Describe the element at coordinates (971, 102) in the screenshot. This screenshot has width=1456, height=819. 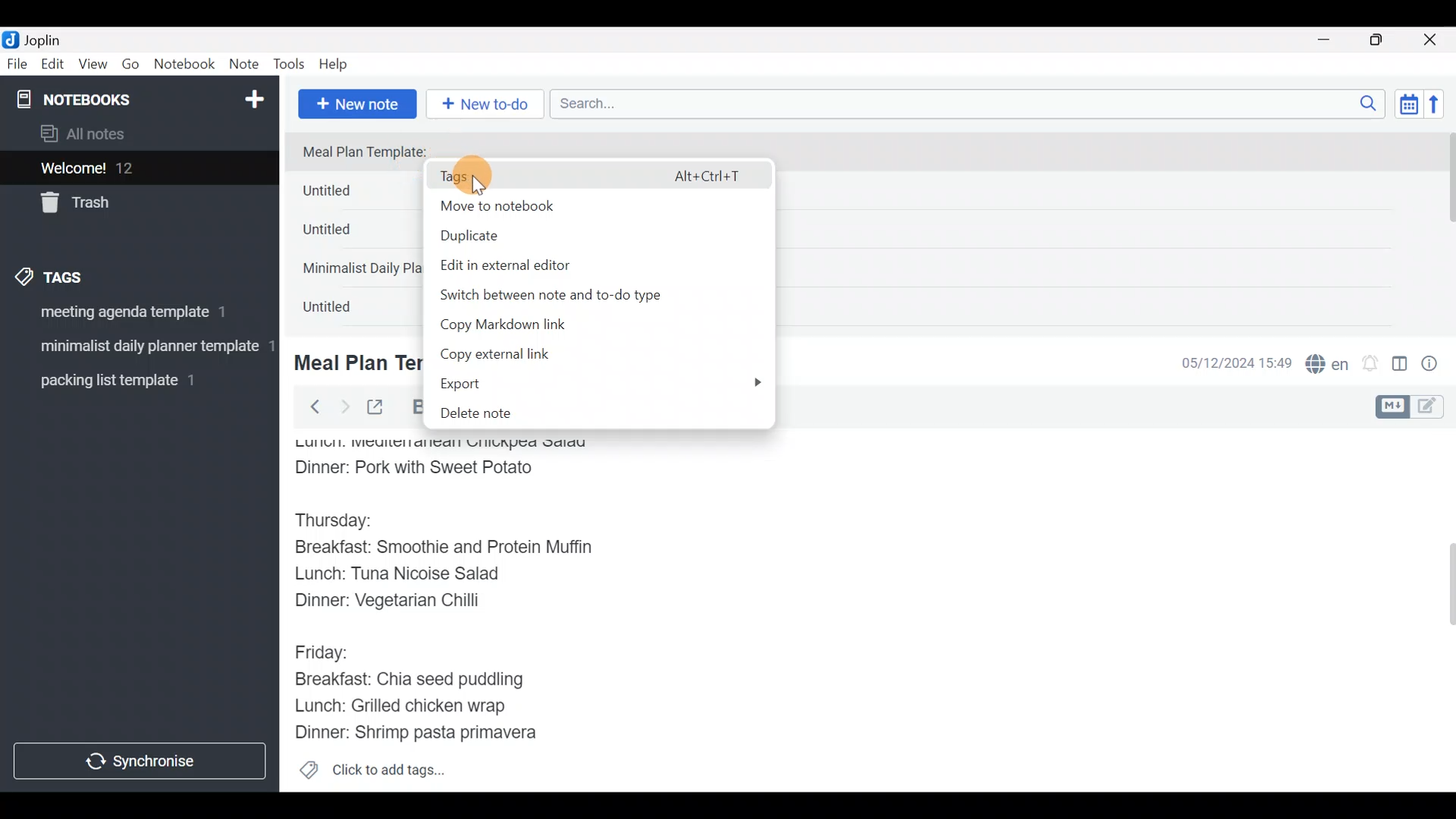
I see `Search bar` at that location.